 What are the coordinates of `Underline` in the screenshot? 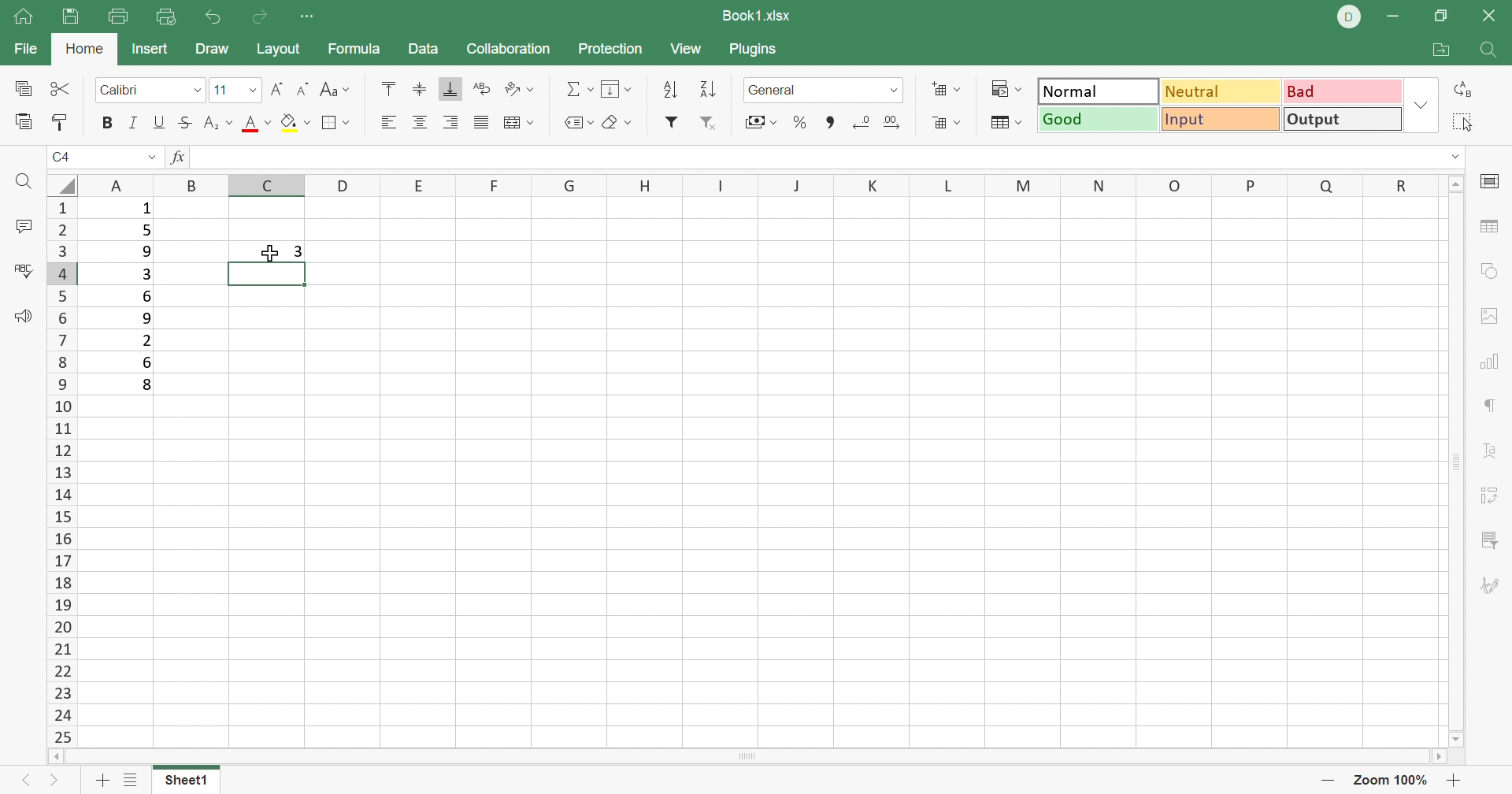 It's located at (161, 121).